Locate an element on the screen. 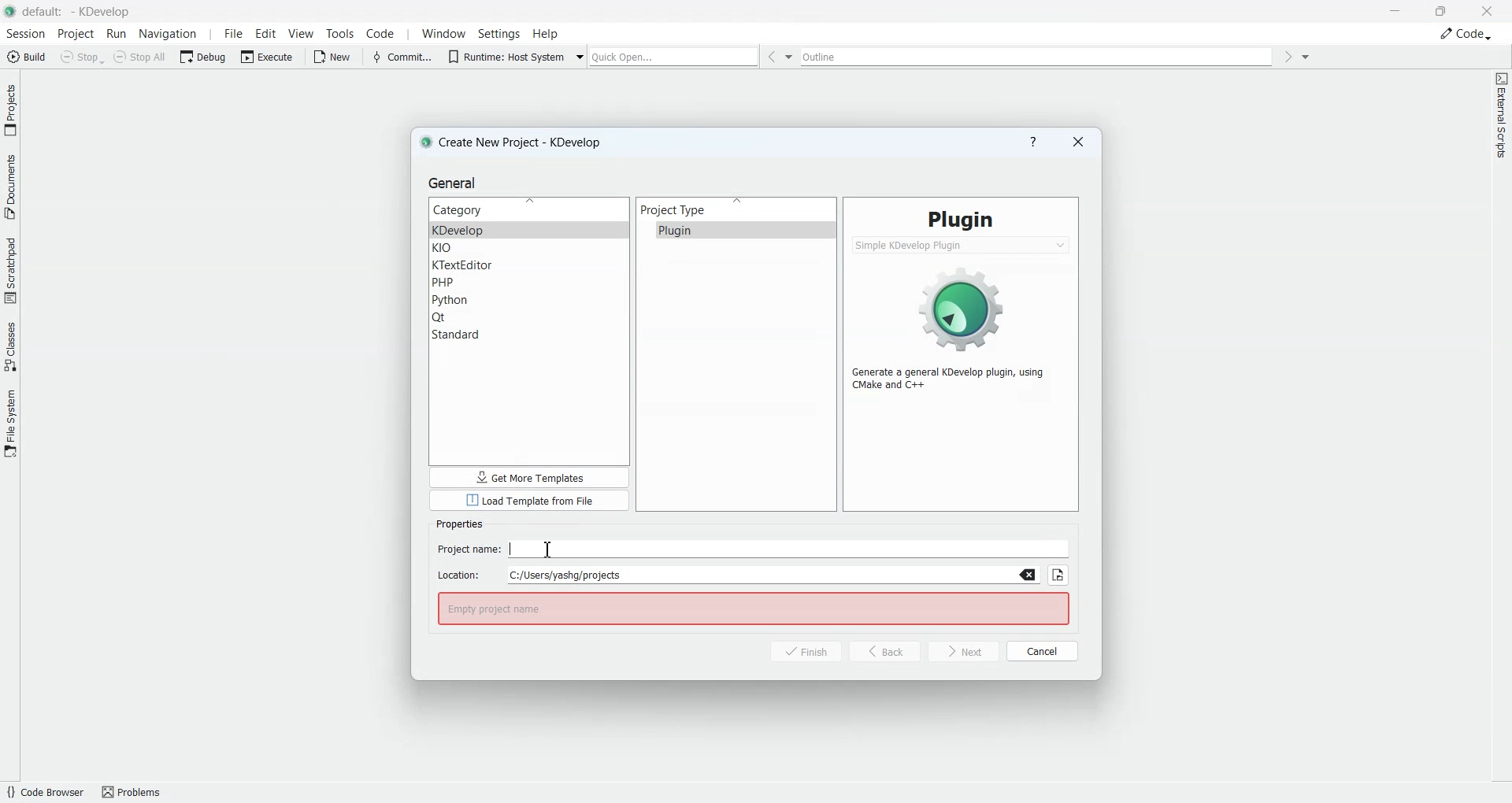 The image size is (1512, 803). Navigation is located at coordinates (170, 34).